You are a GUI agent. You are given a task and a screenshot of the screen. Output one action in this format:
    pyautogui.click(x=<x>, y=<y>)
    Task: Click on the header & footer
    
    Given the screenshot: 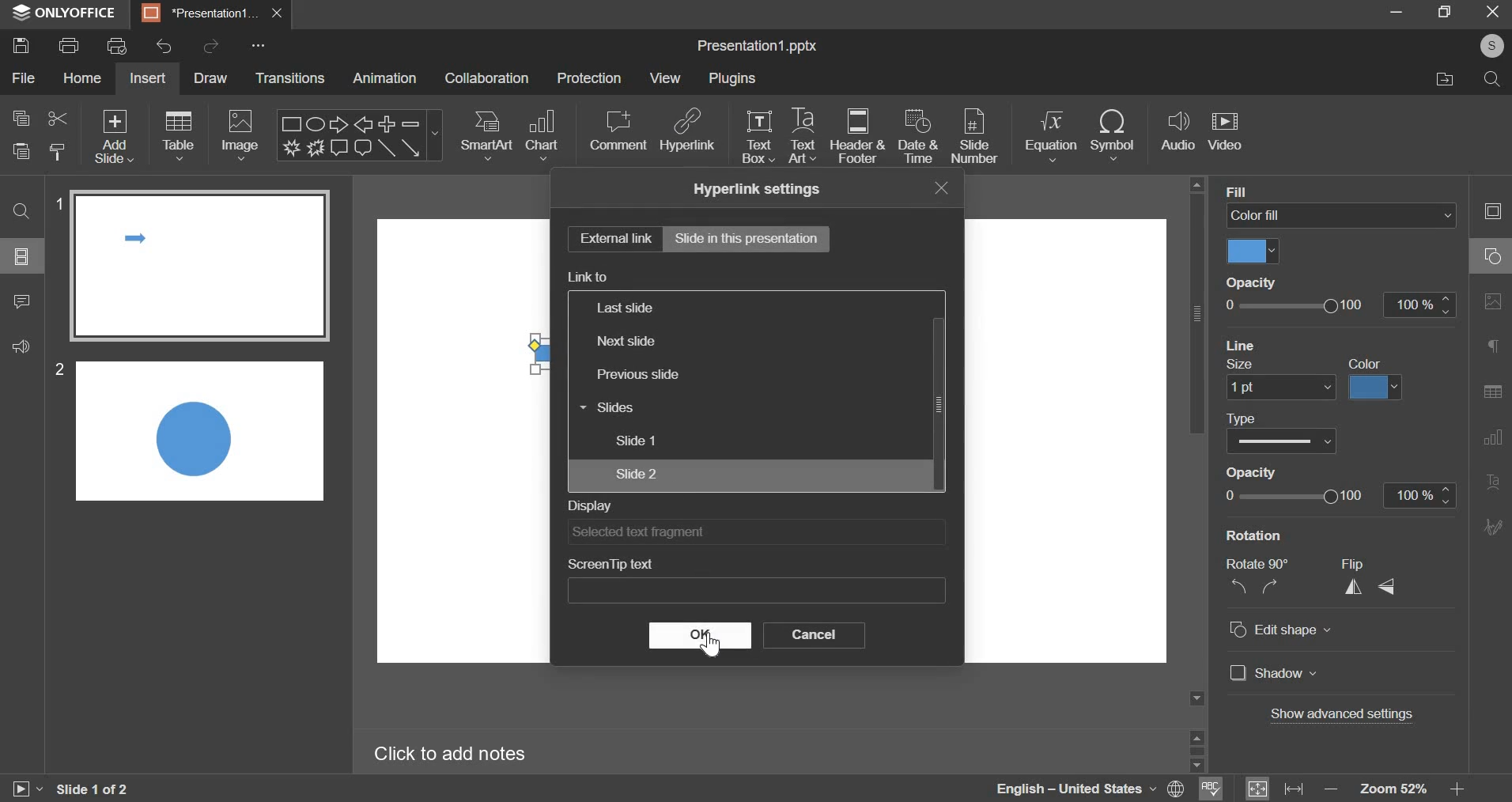 What is the action you would take?
    pyautogui.click(x=857, y=134)
    